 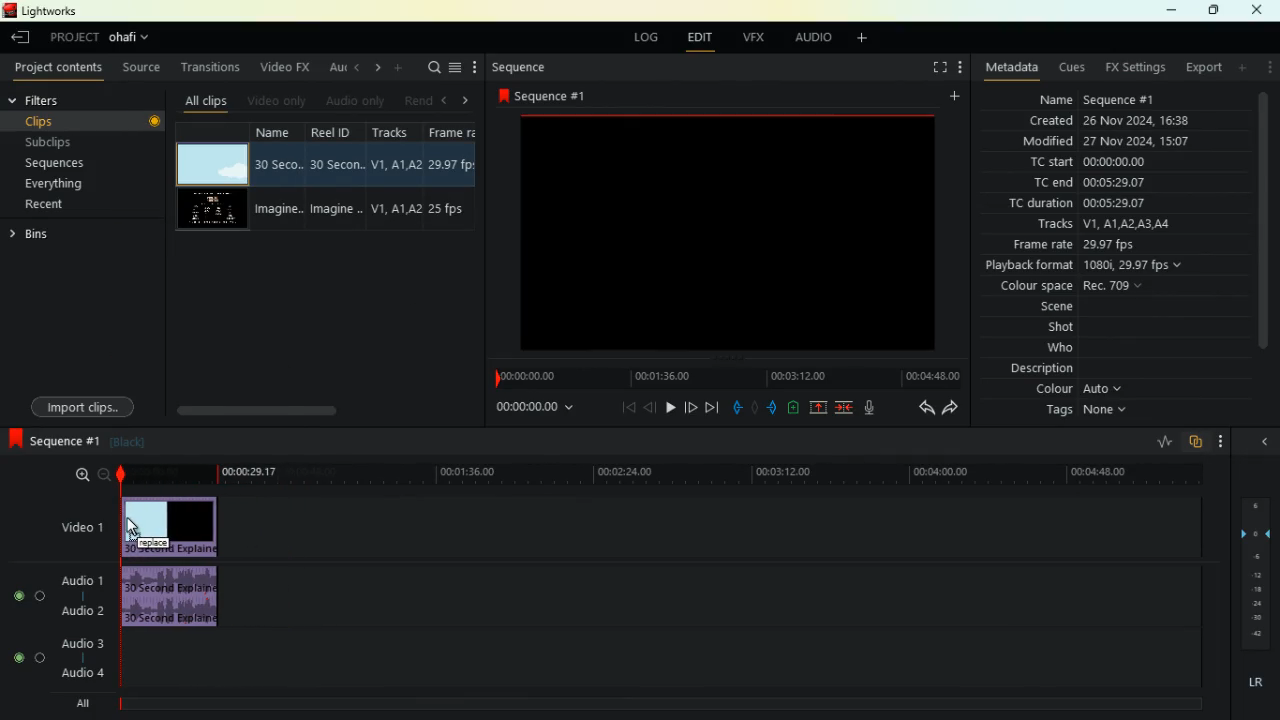 I want to click on reel id, so click(x=338, y=133).